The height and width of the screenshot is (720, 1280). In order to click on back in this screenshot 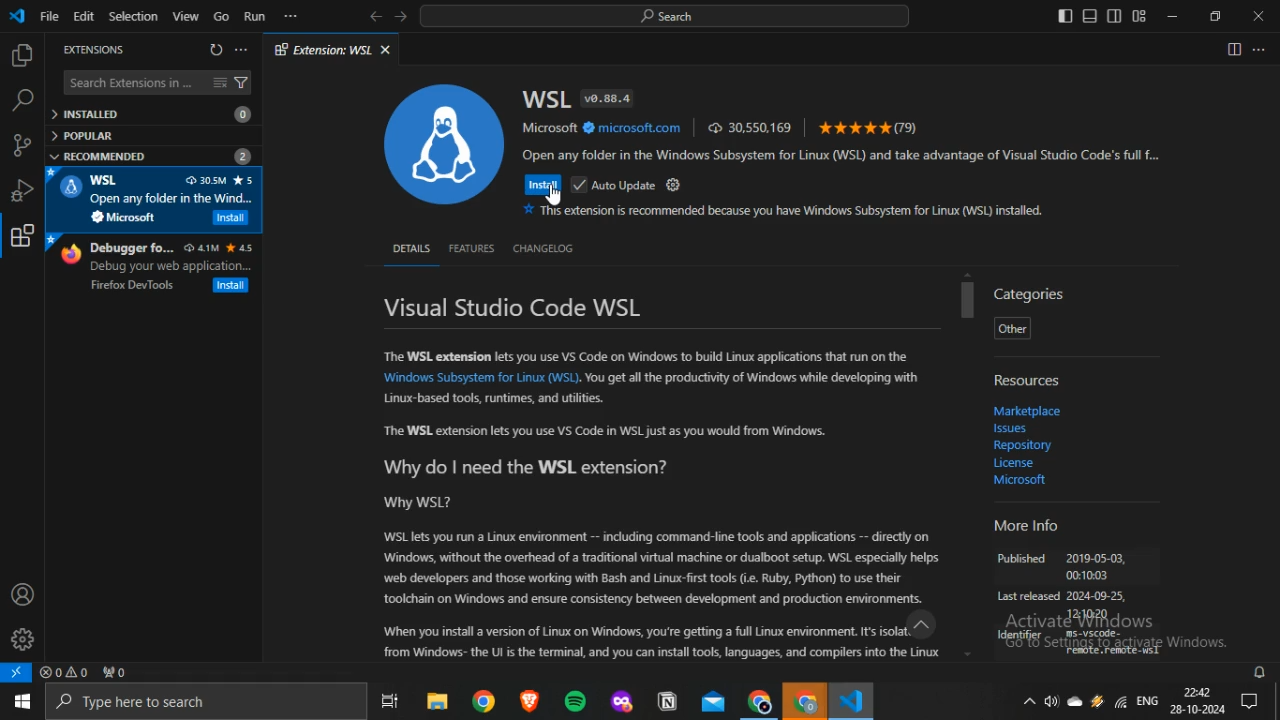, I will do `click(376, 16)`.